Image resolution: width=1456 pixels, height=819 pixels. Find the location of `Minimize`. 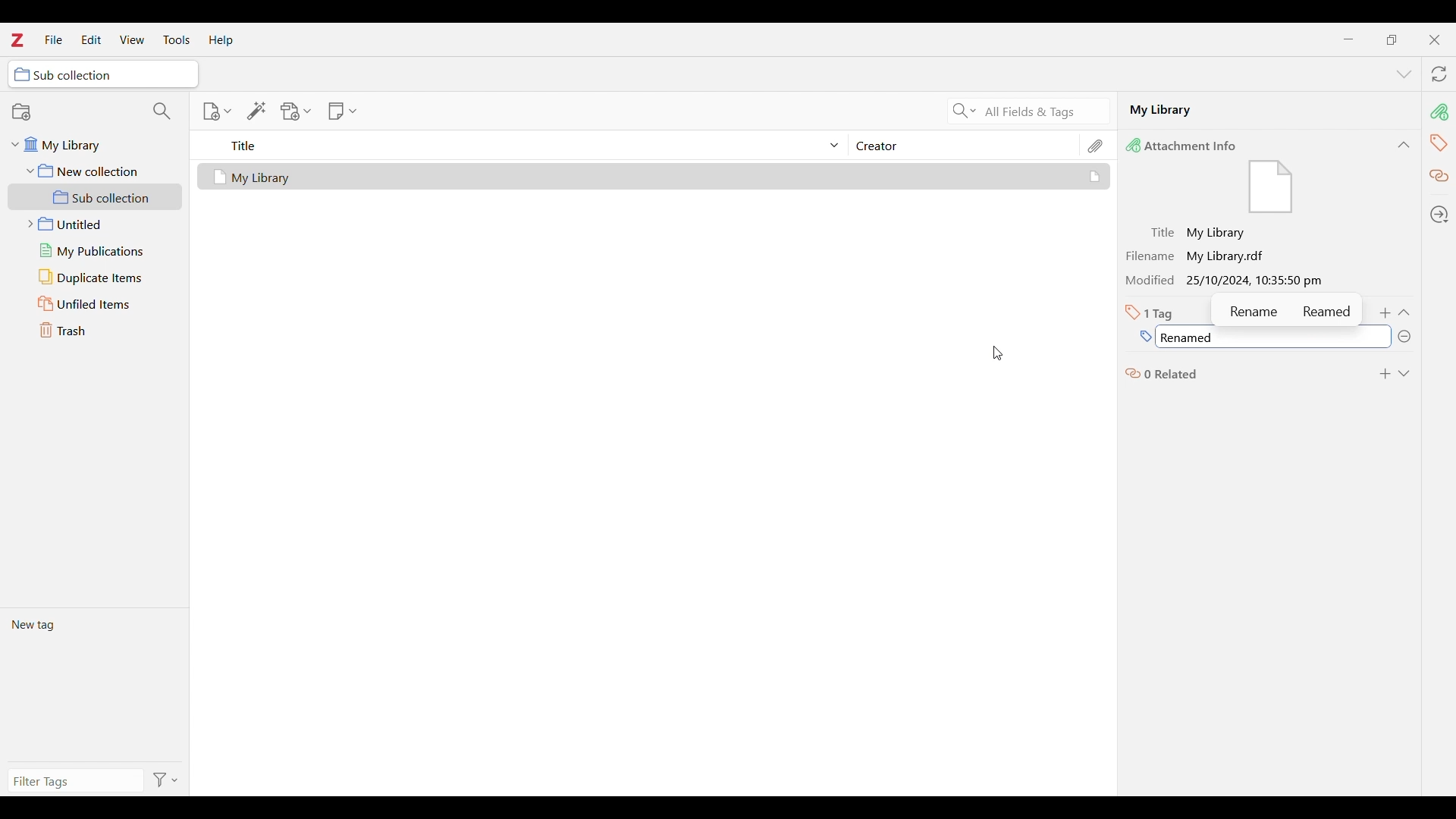

Minimize is located at coordinates (1349, 39).